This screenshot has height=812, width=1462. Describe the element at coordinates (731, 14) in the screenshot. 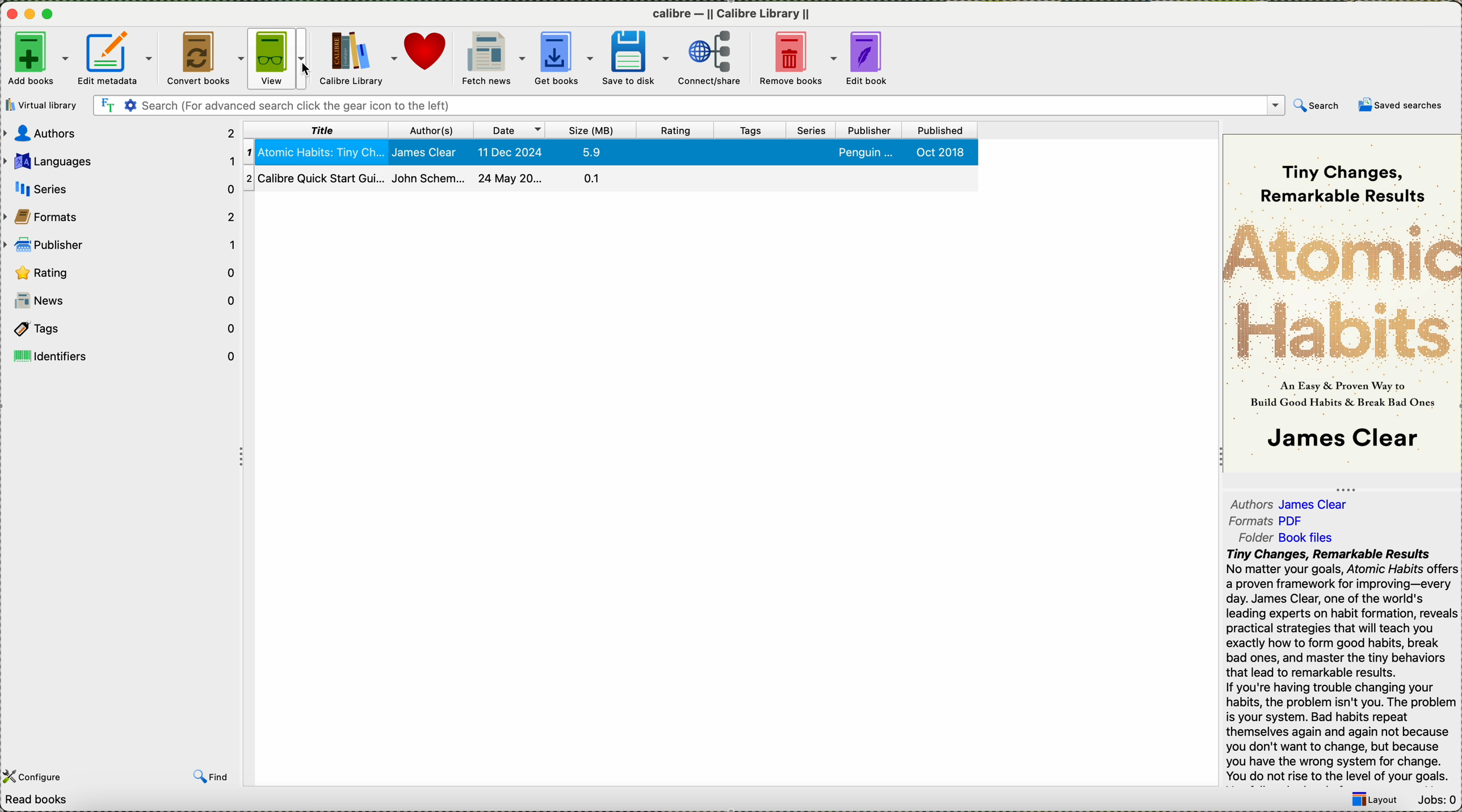

I see `Calibre callibre Library` at that location.